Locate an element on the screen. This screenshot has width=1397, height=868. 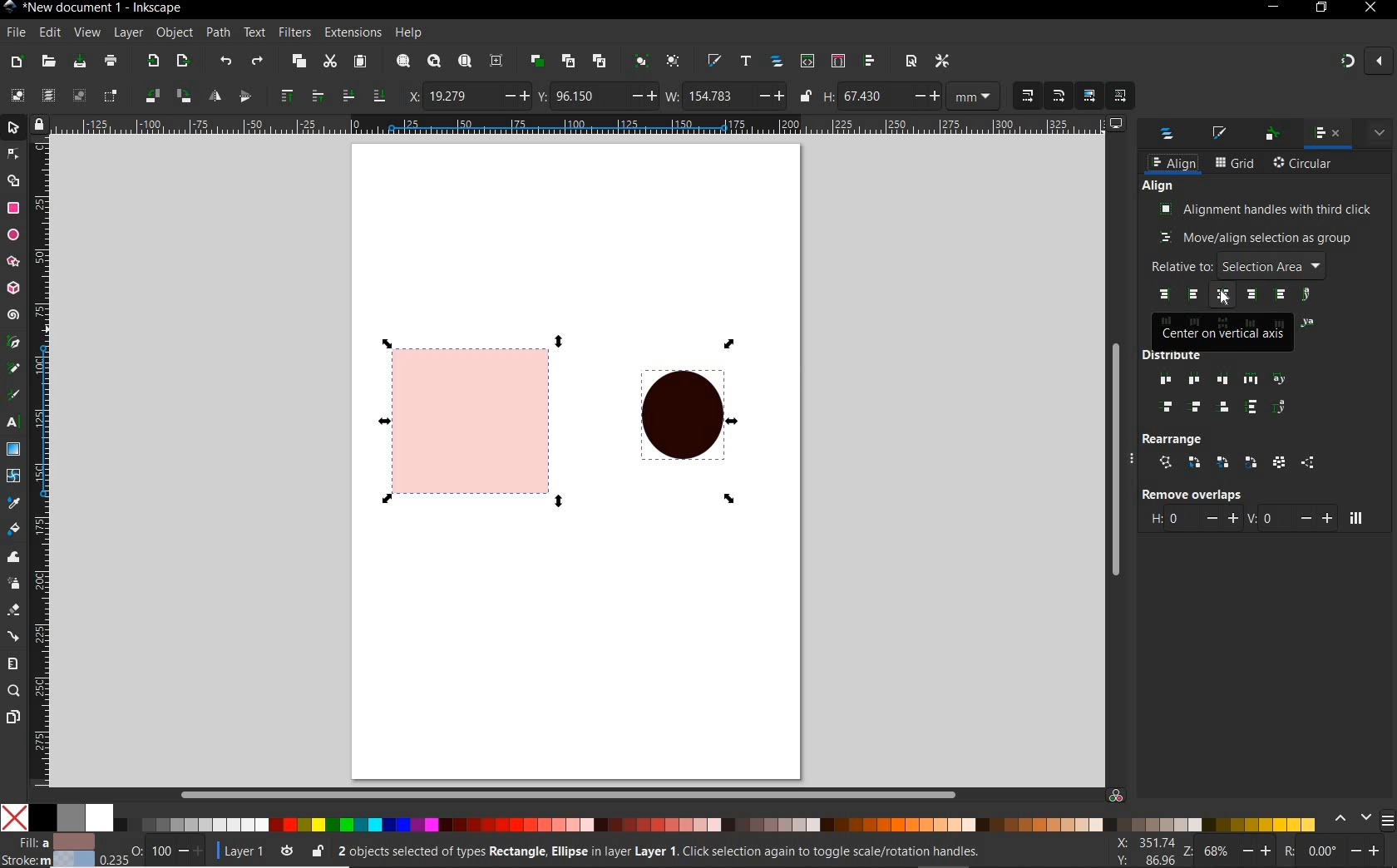
object is located at coordinates (174, 32).